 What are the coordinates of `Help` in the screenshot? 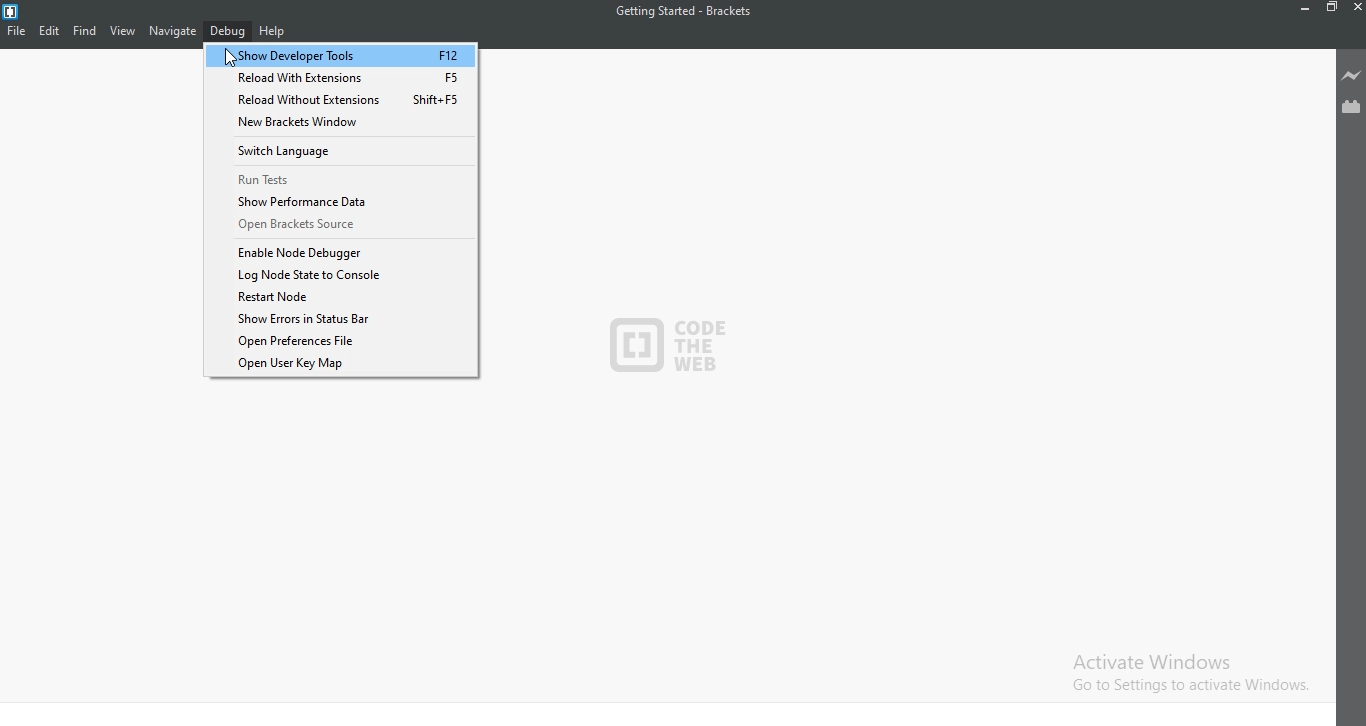 It's located at (271, 32).